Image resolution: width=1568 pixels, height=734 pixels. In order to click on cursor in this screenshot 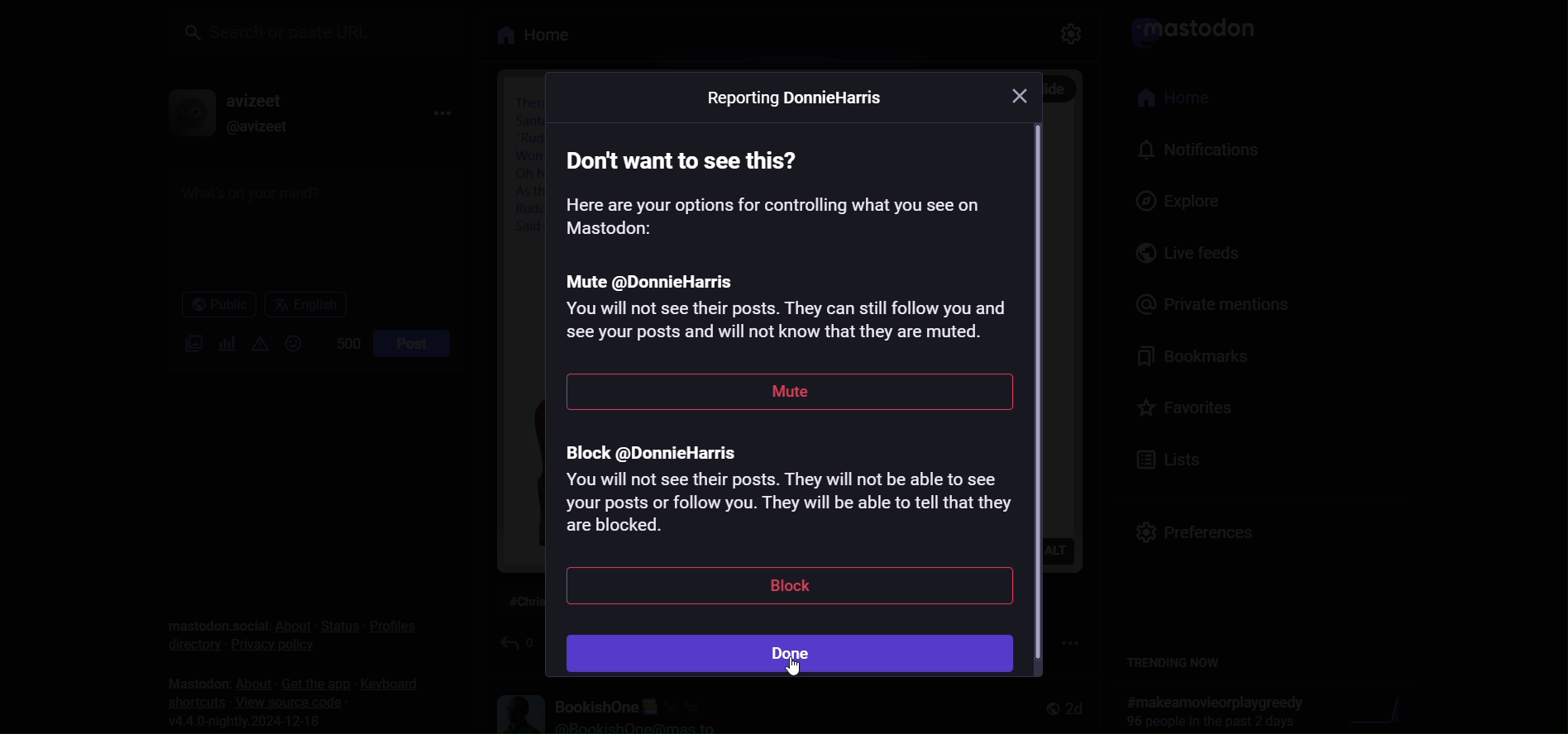, I will do `click(795, 674)`.